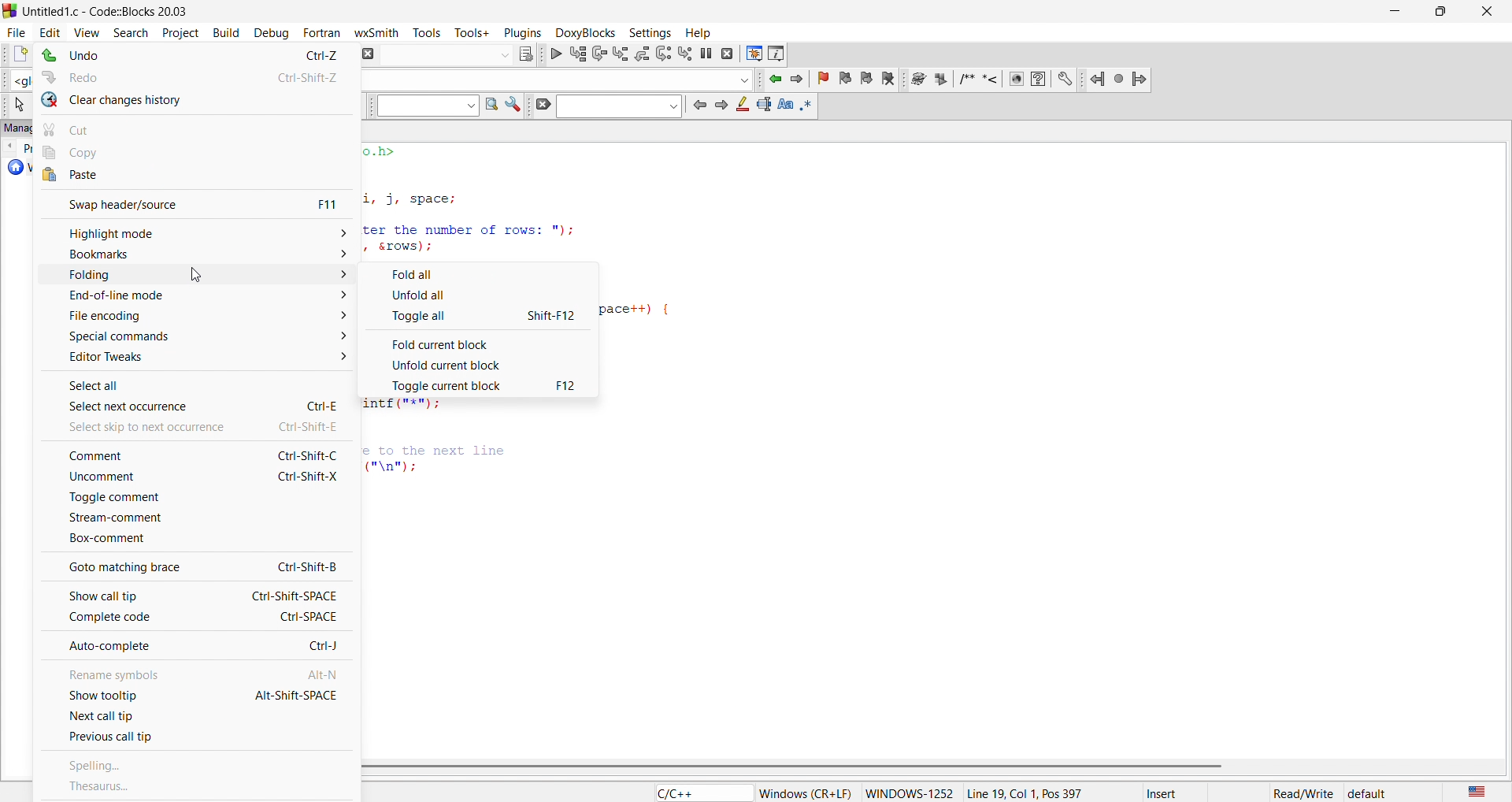 This screenshot has height=802, width=1512. Describe the element at coordinates (777, 53) in the screenshot. I see `various info` at that location.